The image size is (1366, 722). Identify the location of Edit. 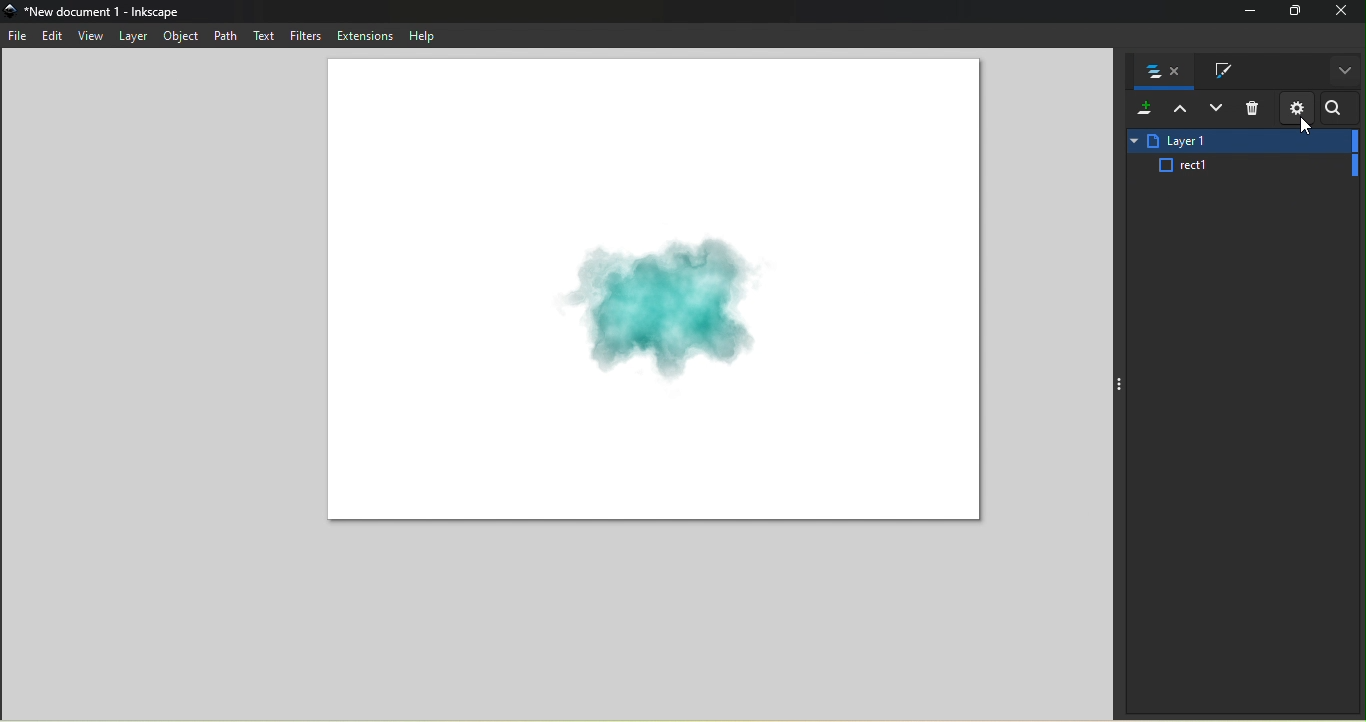
(52, 36).